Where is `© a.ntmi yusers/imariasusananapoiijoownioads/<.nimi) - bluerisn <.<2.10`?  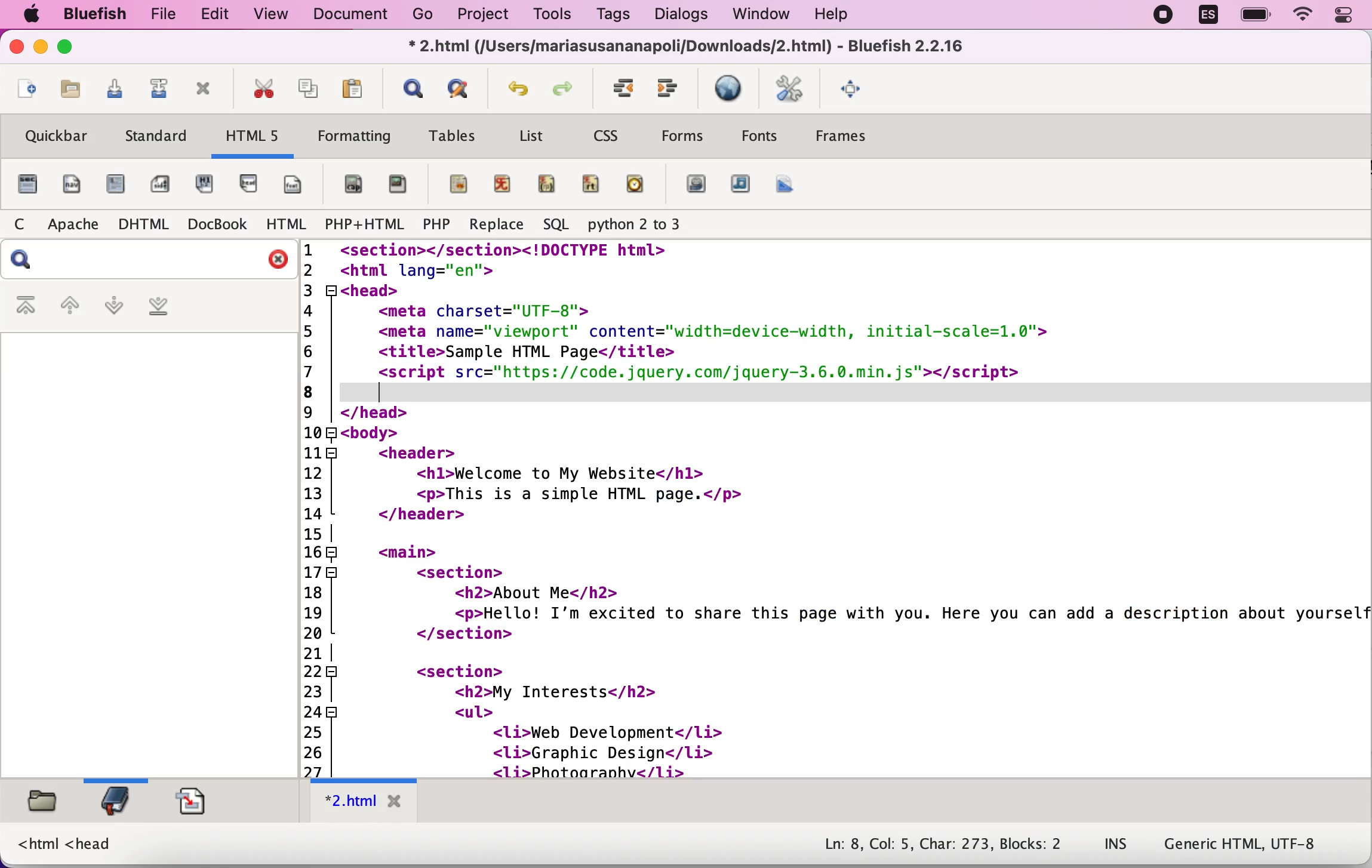 © a.ntmi yusers/imariasusananapoiijoownioads/<.nimi) - bluerisn <.<2.10 is located at coordinates (682, 47).